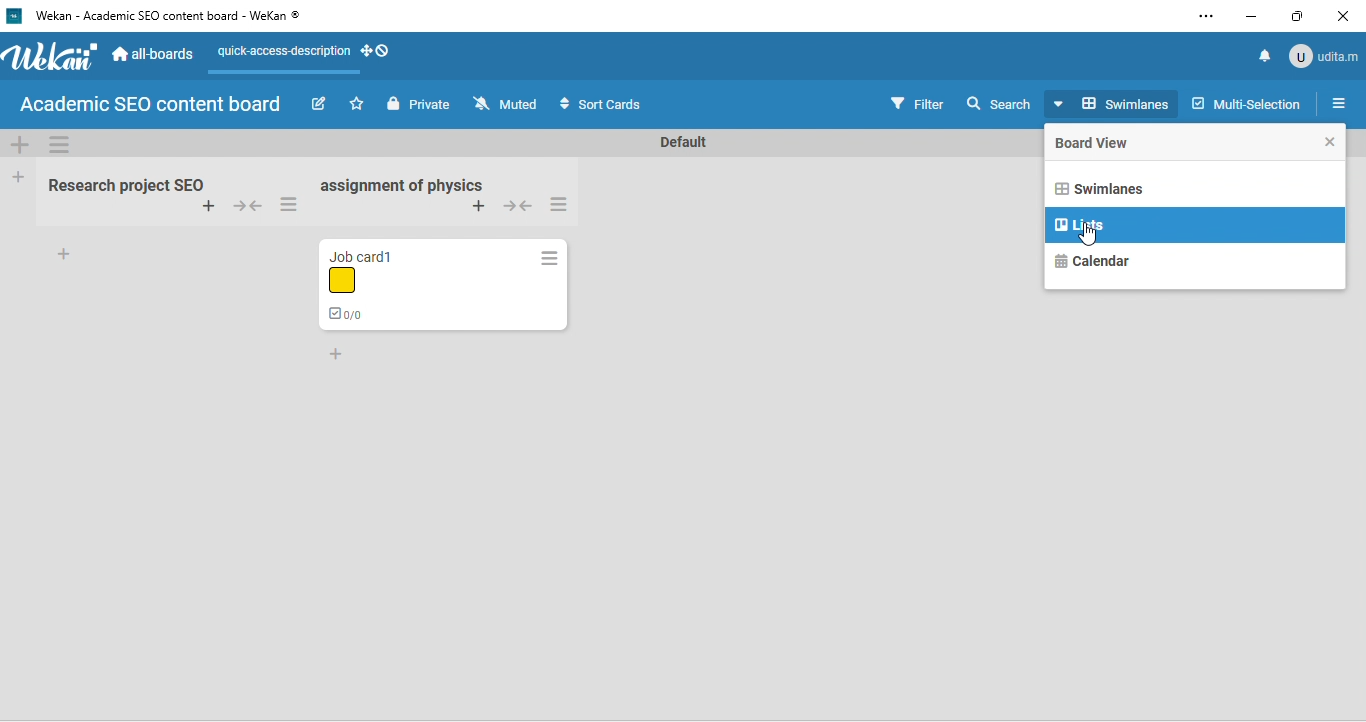  I want to click on list action, so click(293, 204).